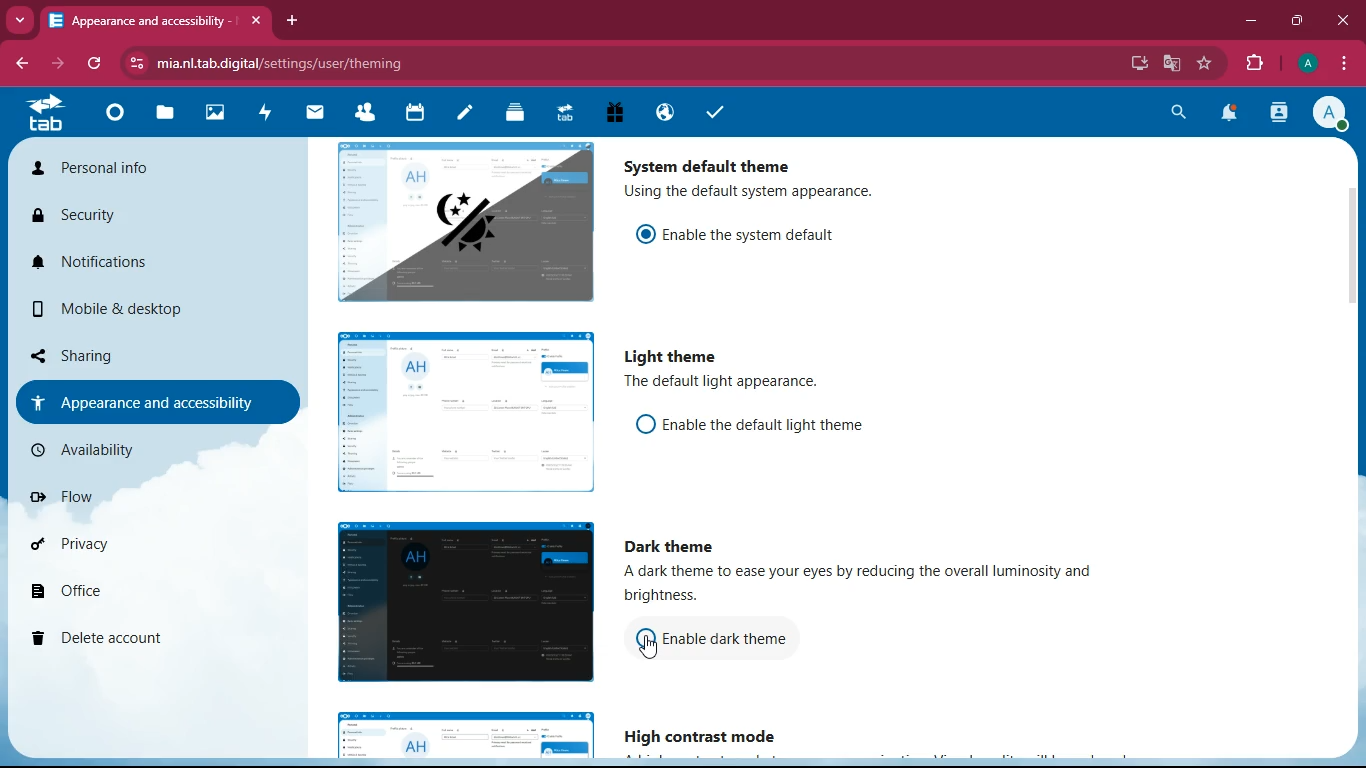 Image resolution: width=1366 pixels, height=768 pixels. Describe the element at coordinates (114, 118) in the screenshot. I see `home` at that location.